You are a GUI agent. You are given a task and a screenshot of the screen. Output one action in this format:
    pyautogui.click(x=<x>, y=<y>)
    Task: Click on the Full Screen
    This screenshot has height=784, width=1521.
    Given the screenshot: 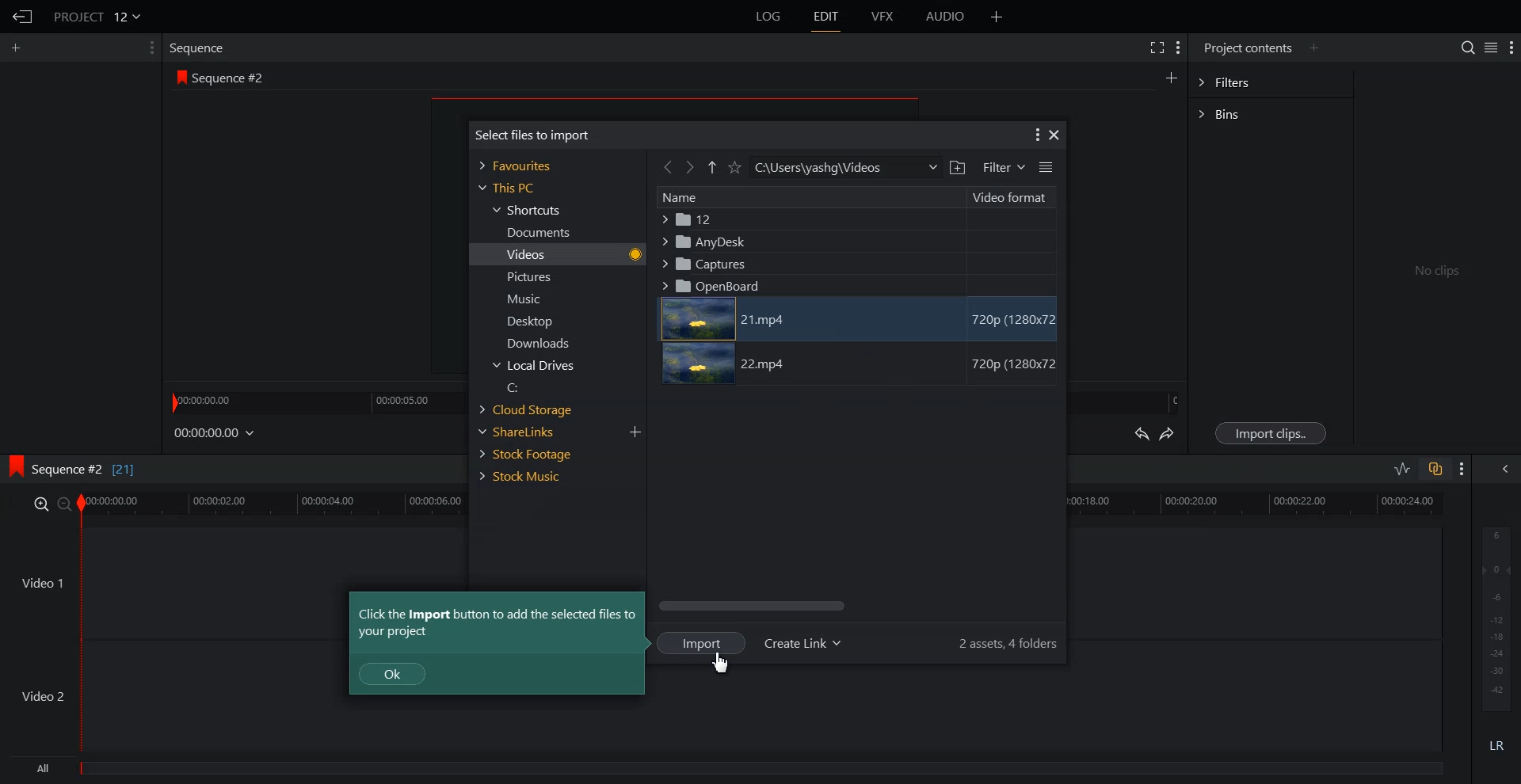 What is the action you would take?
    pyautogui.click(x=1158, y=48)
    